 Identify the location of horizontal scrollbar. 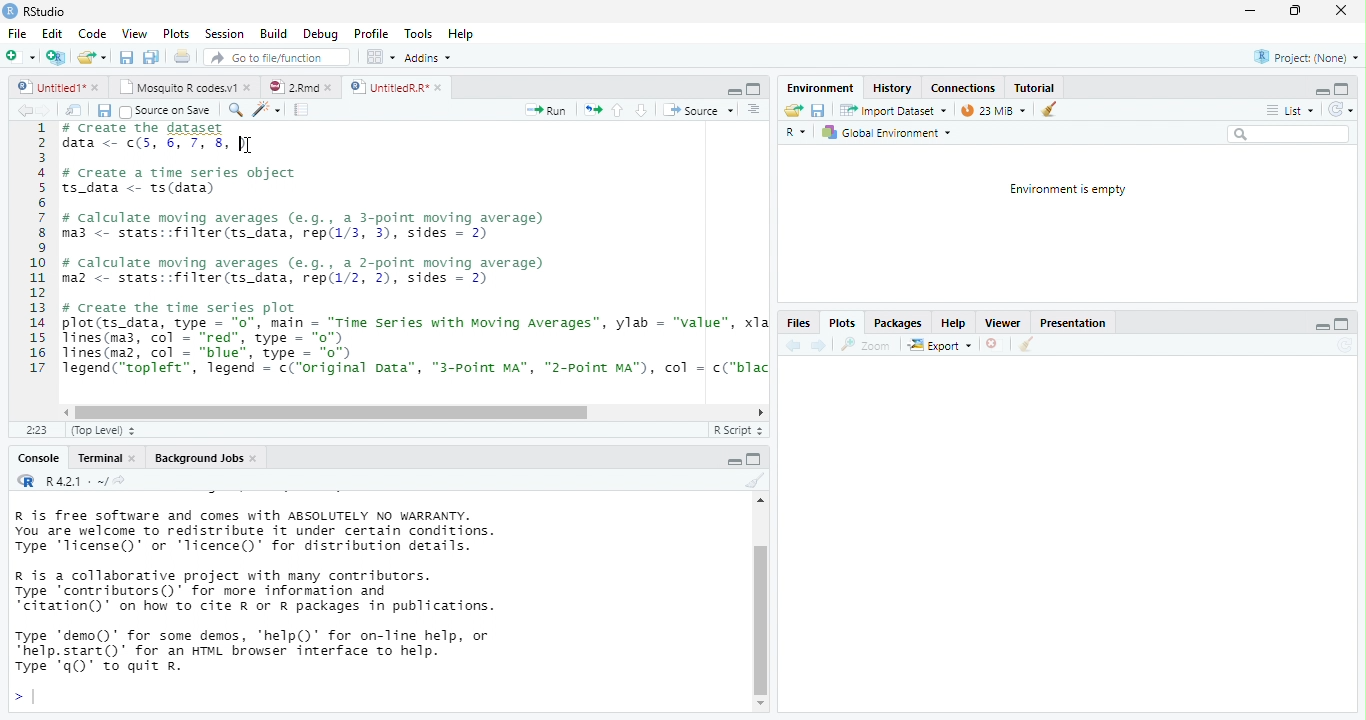
(332, 413).